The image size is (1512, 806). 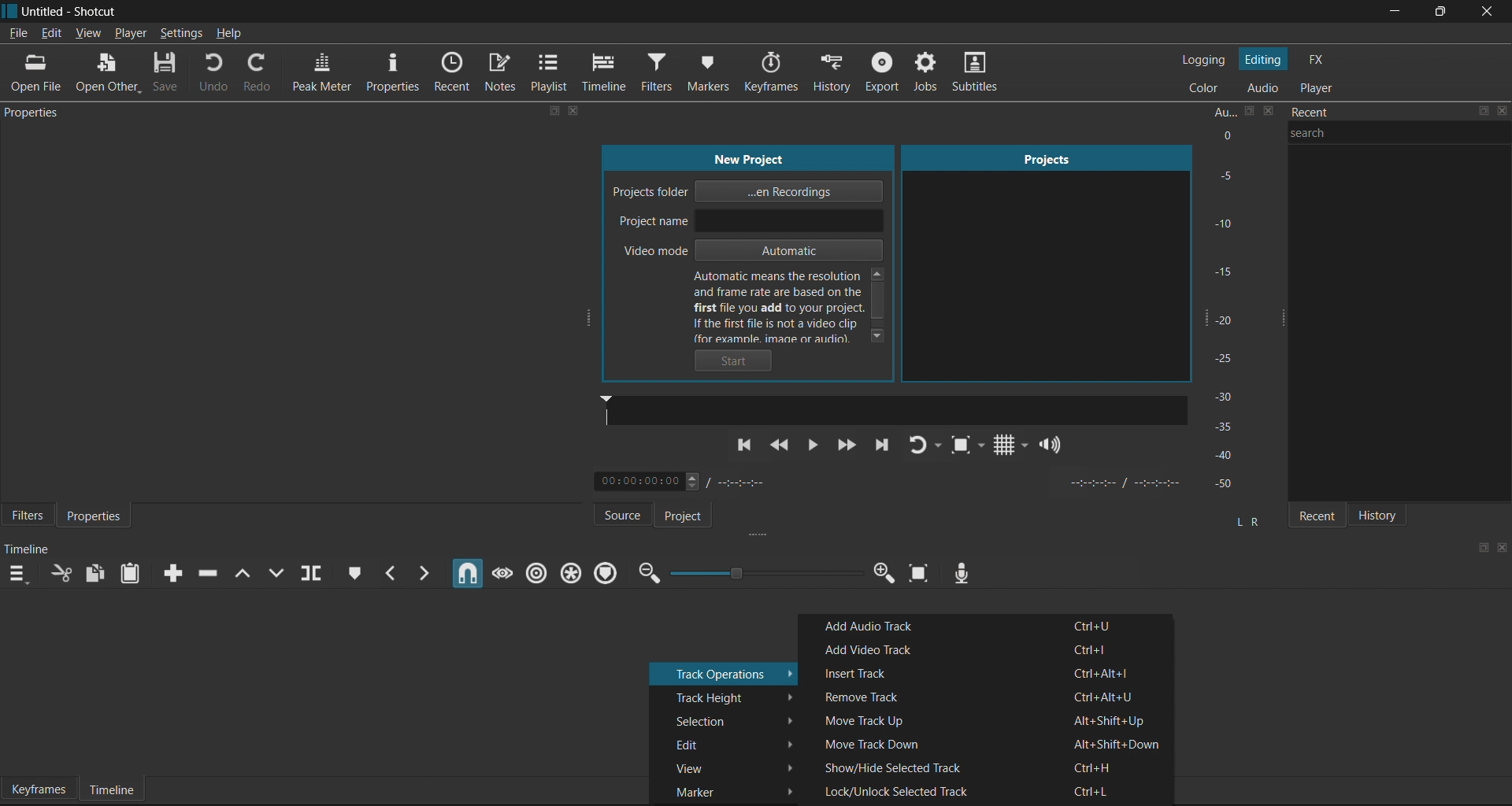 What do you see at coordinates (695, 516) in the screenshot?
I see `Project` at bounding box center [695, 516].